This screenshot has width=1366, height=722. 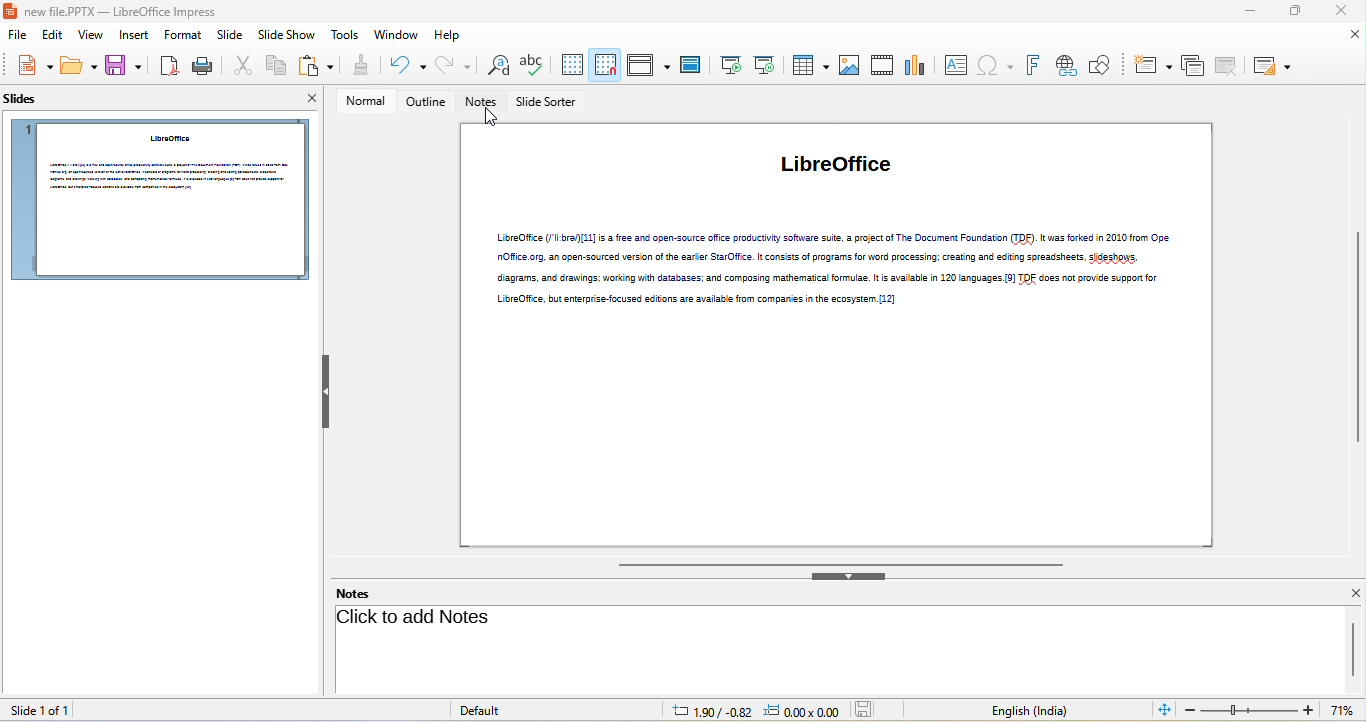 What do you see at coordinates (823, 257) in the screenshot?
I see `| | nOffice org. an open-sourced version of the earlier StarOffice. It consists of programs for word processing: creating and editing spreadsheets. slideshows,` at bounding box center [823, 257].